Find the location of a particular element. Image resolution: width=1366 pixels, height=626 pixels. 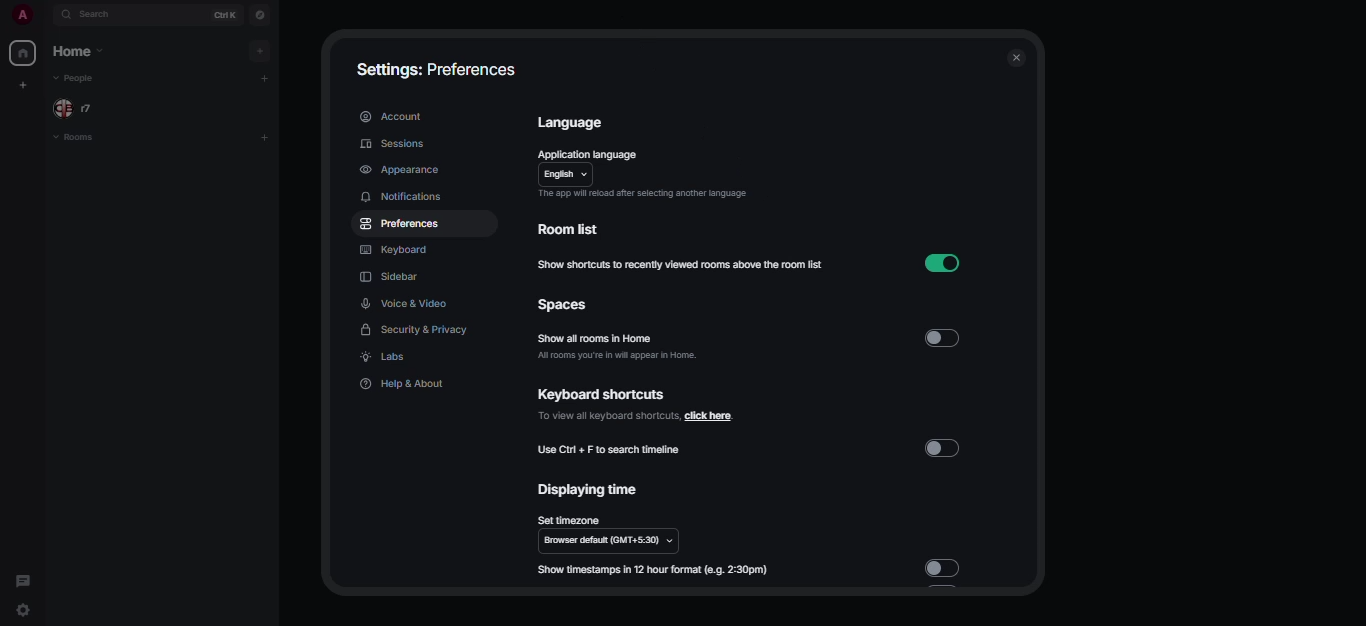

sessions is located at coordinates (392, 143).